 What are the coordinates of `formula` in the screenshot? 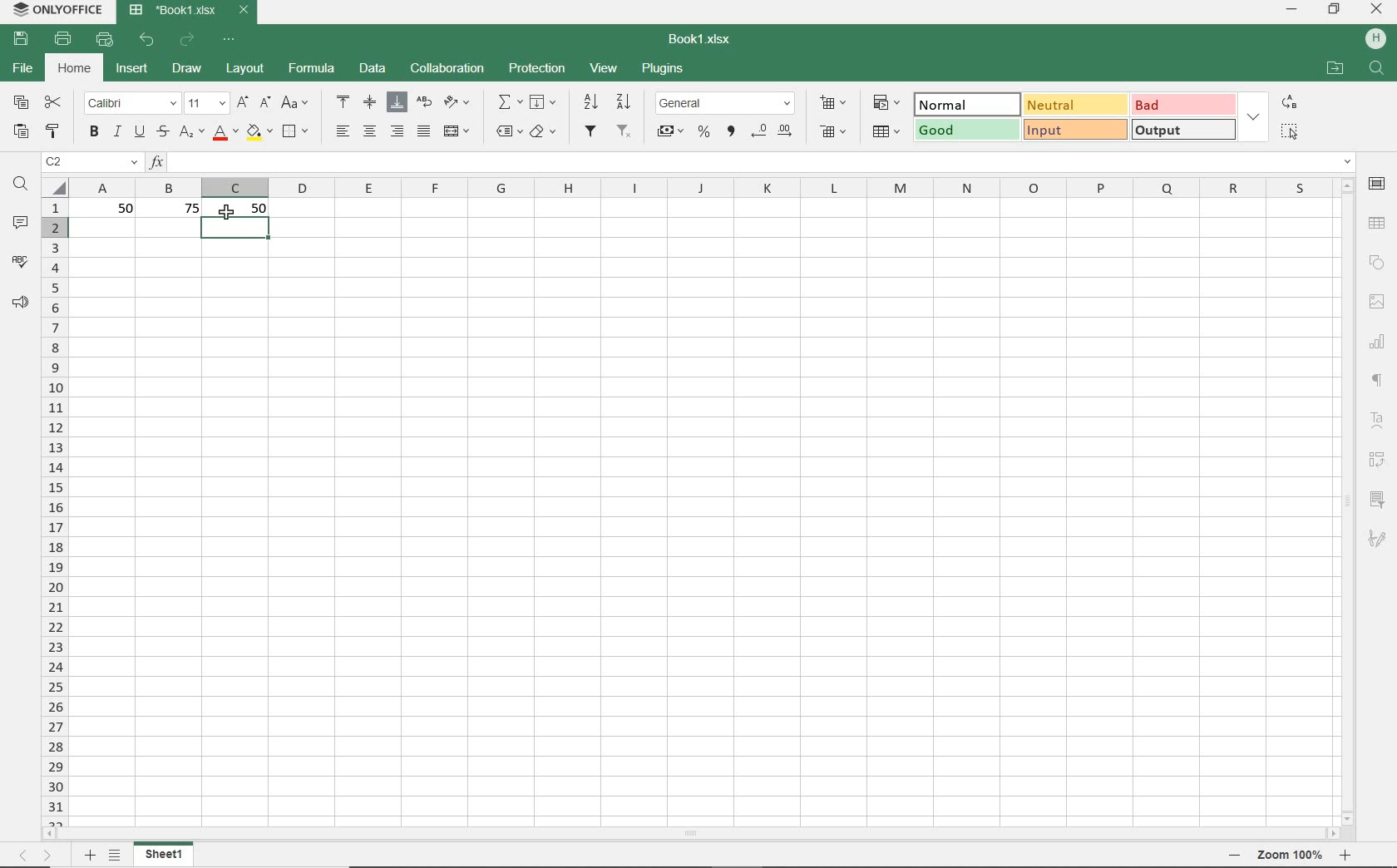 It's located at (312, 68).